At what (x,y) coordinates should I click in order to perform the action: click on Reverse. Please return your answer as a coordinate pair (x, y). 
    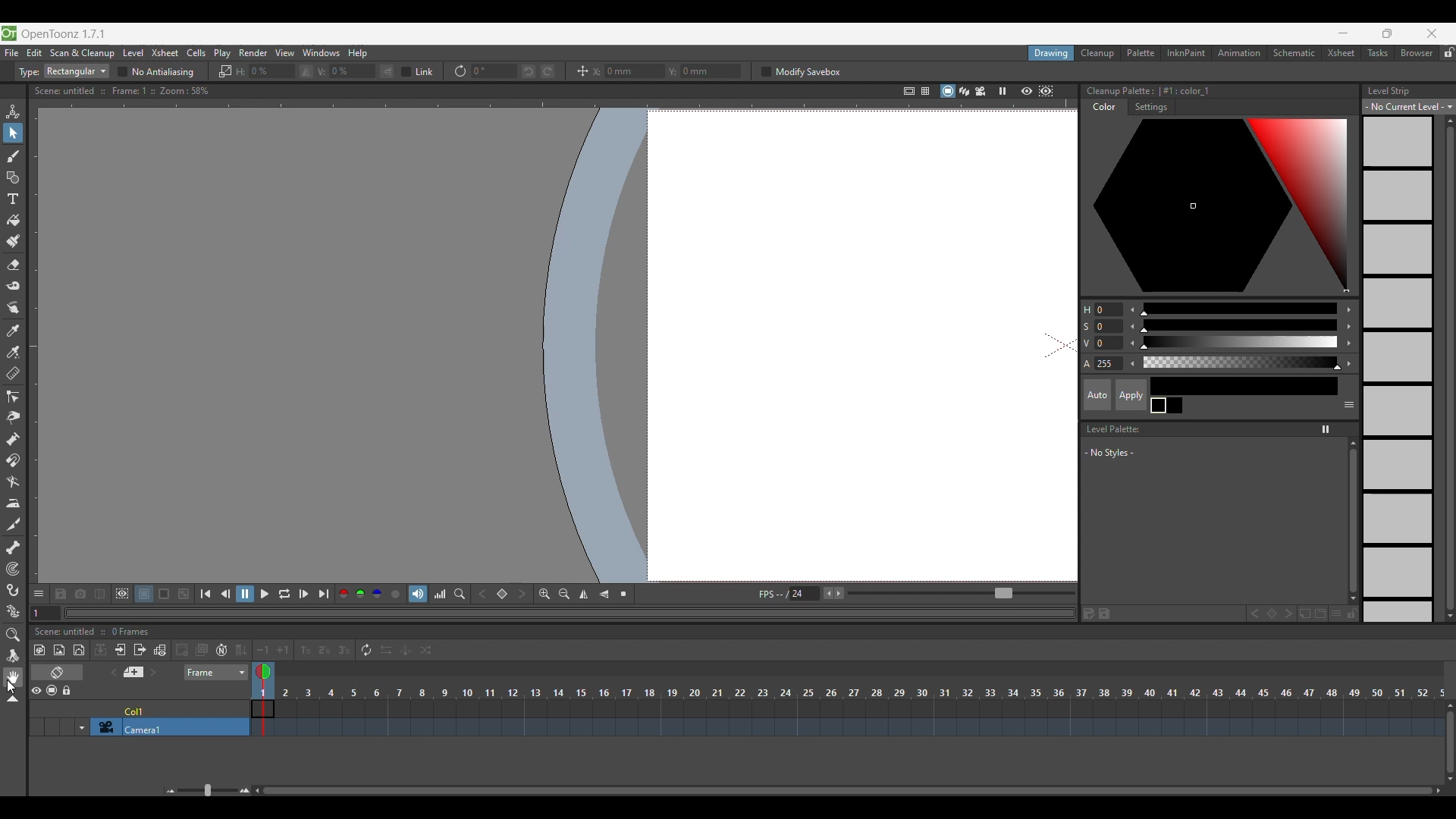
    Looking at the image, I should click on (386, 650).